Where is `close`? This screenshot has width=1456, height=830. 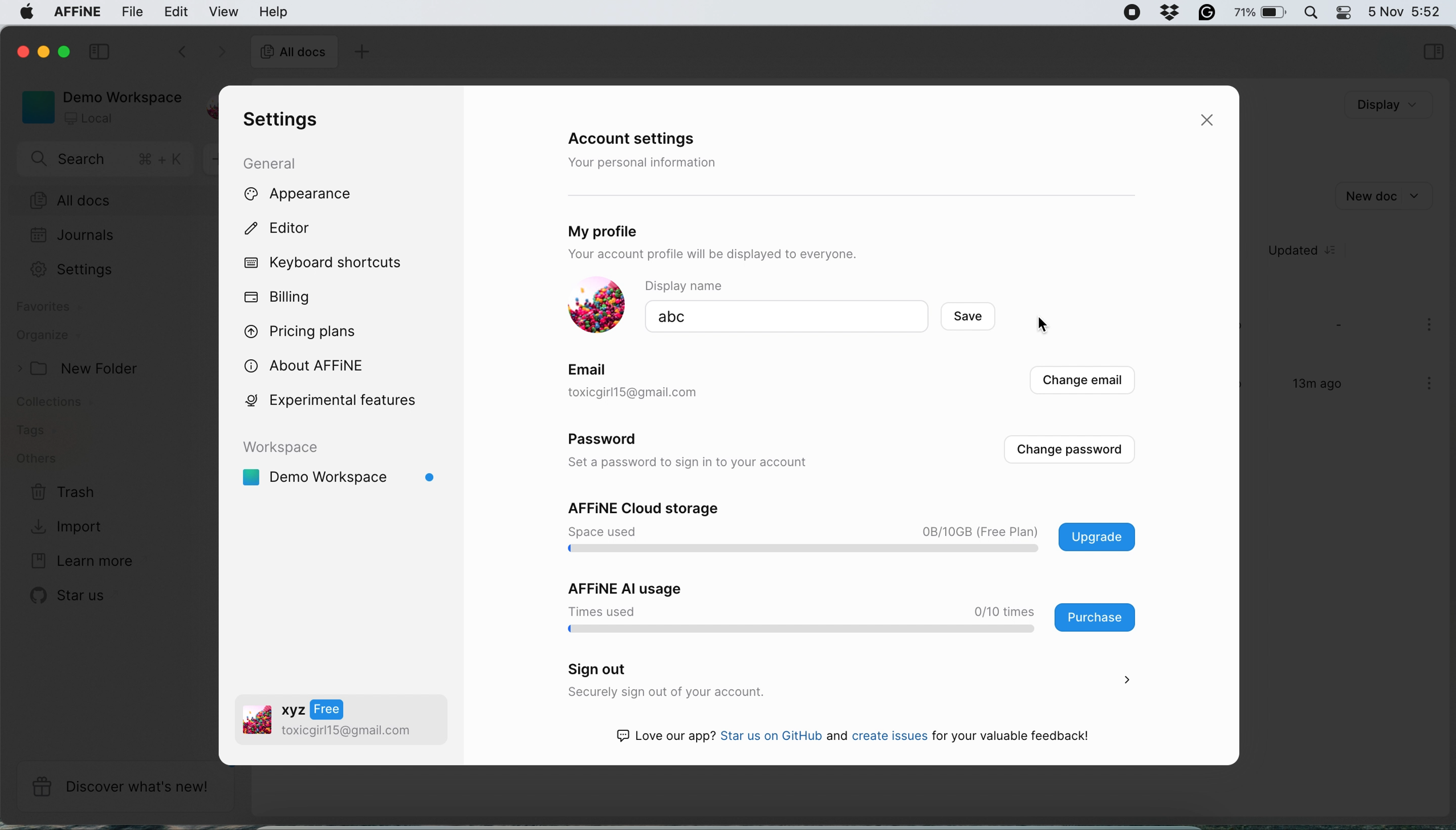
close is located at coordinates (21, 50).